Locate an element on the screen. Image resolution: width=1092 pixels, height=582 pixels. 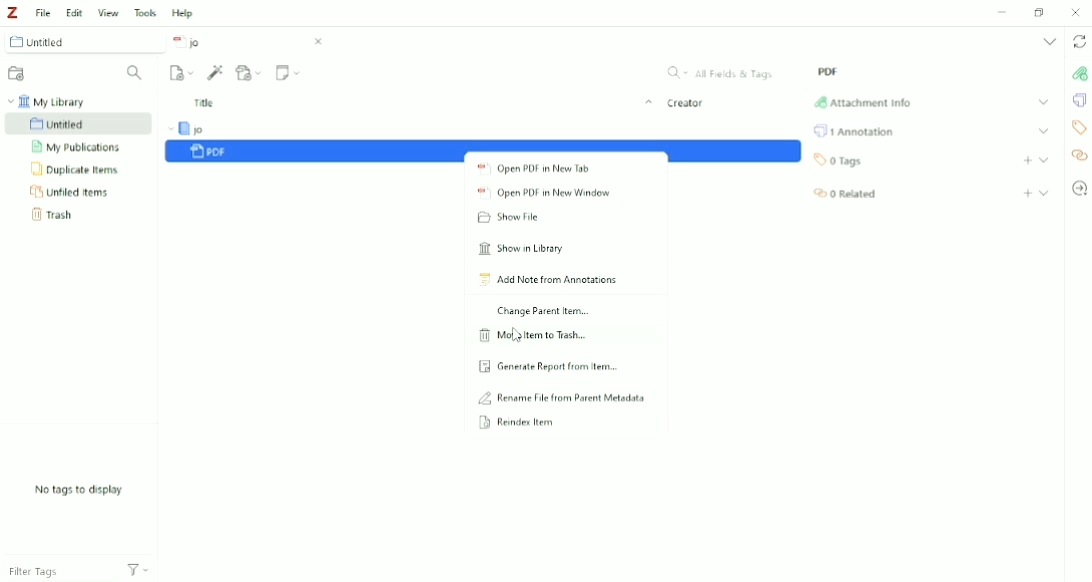
File is located at coordinates (44, 11).